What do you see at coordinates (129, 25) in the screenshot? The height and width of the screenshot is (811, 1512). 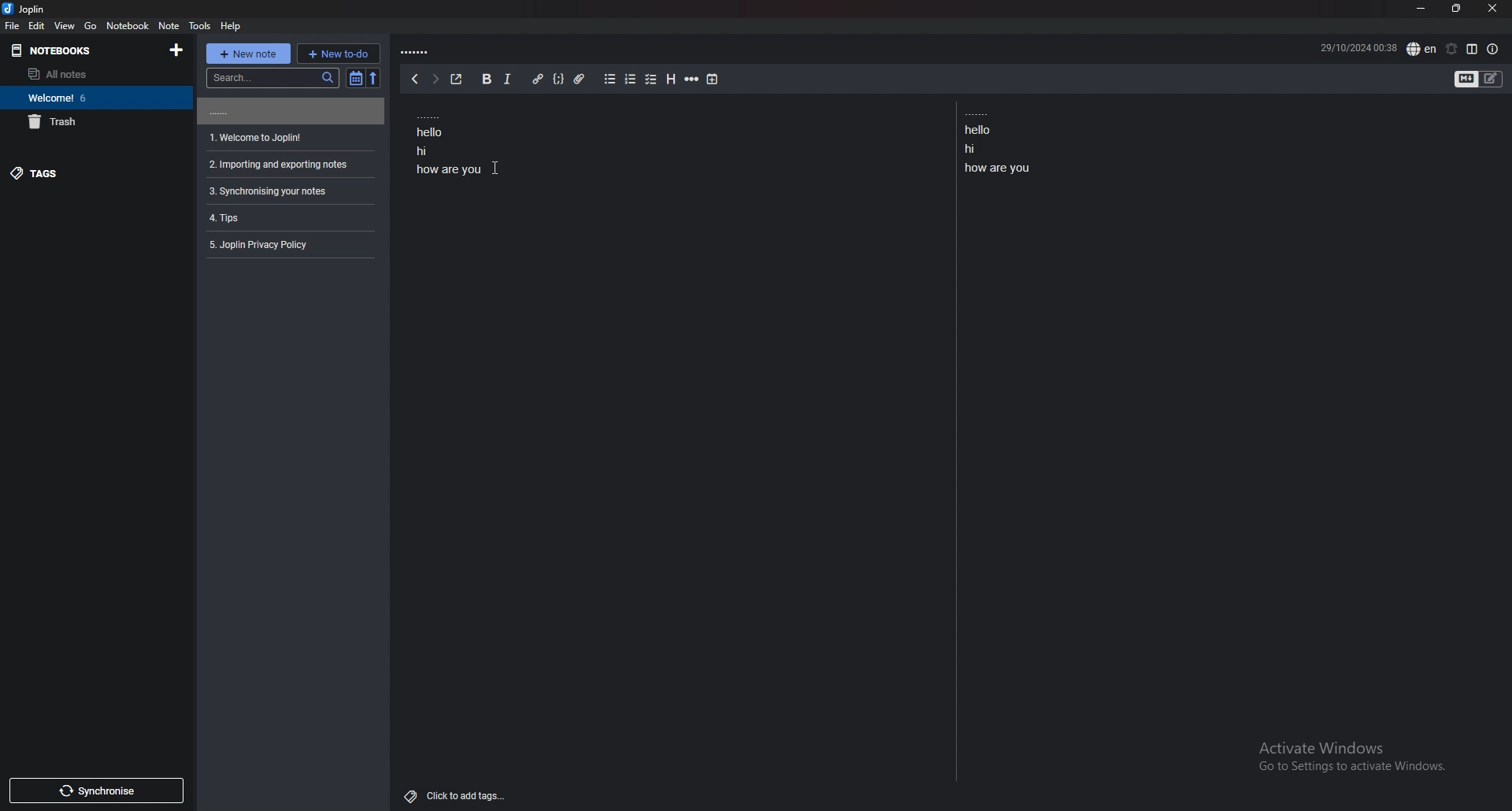 I see `notebook` at bounding box center [129, 25].